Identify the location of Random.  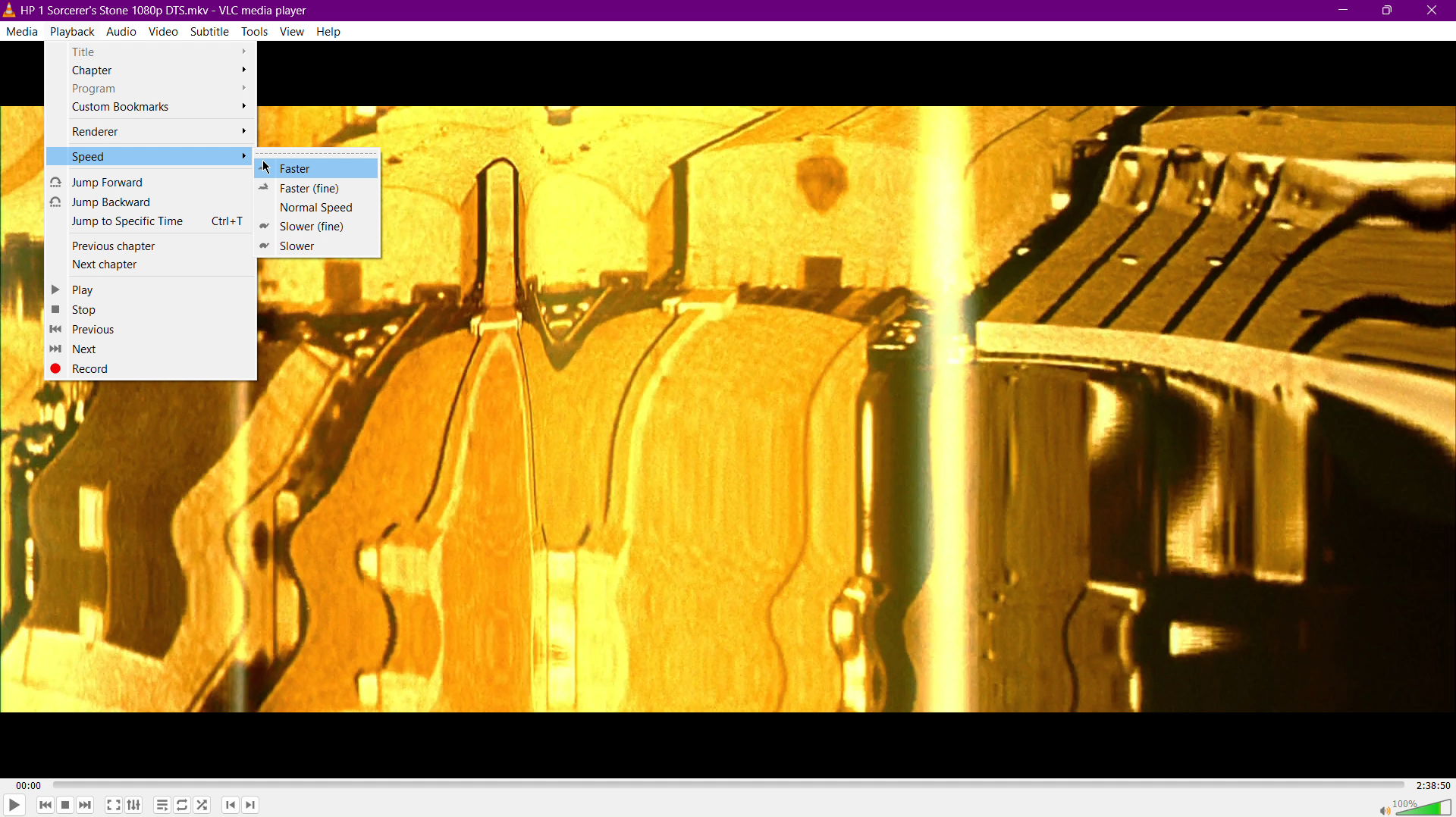
(204, 806).